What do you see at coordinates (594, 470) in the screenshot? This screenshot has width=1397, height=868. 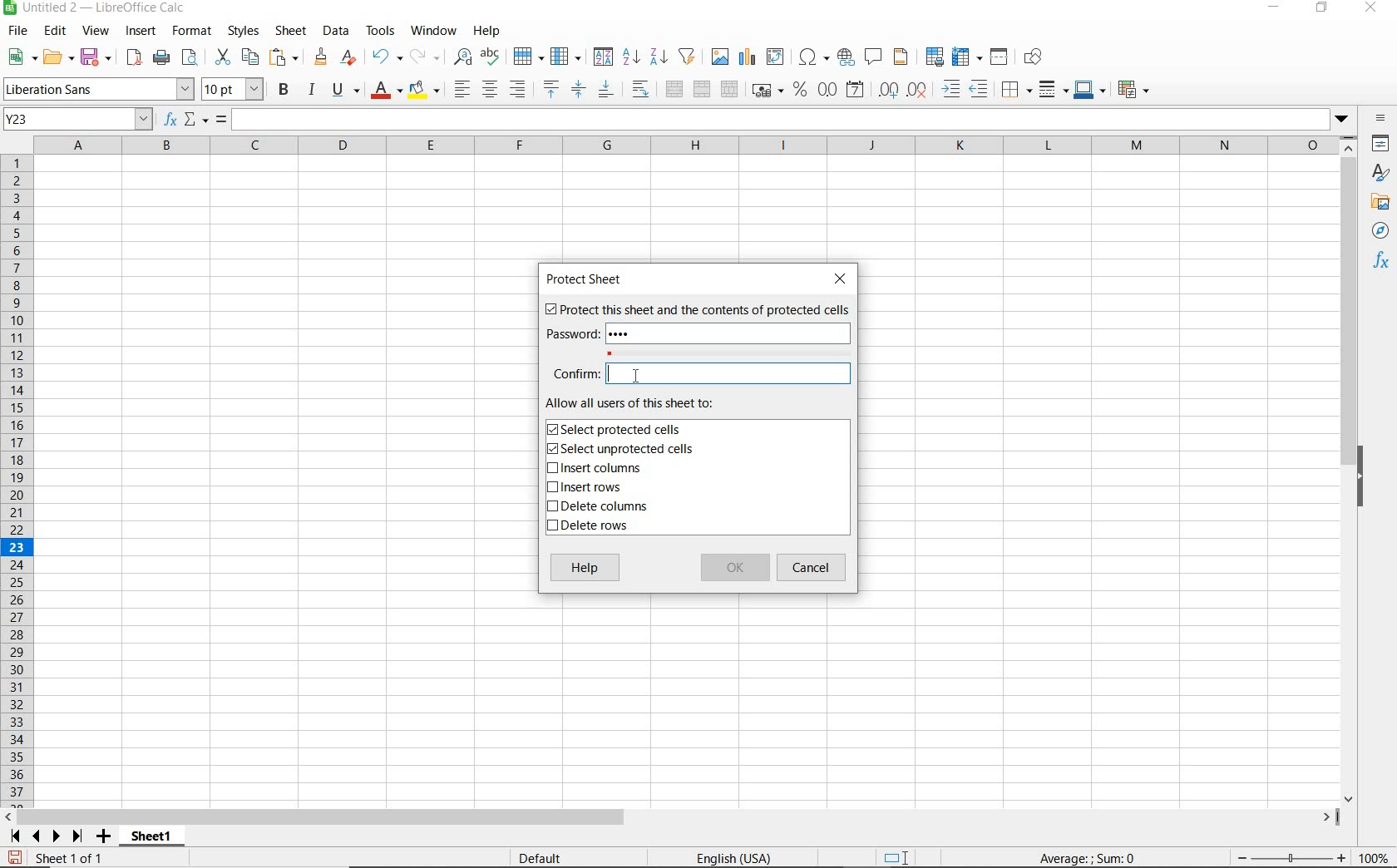 I see `INSERT COLUMNS` at bounding box center [594, 470].